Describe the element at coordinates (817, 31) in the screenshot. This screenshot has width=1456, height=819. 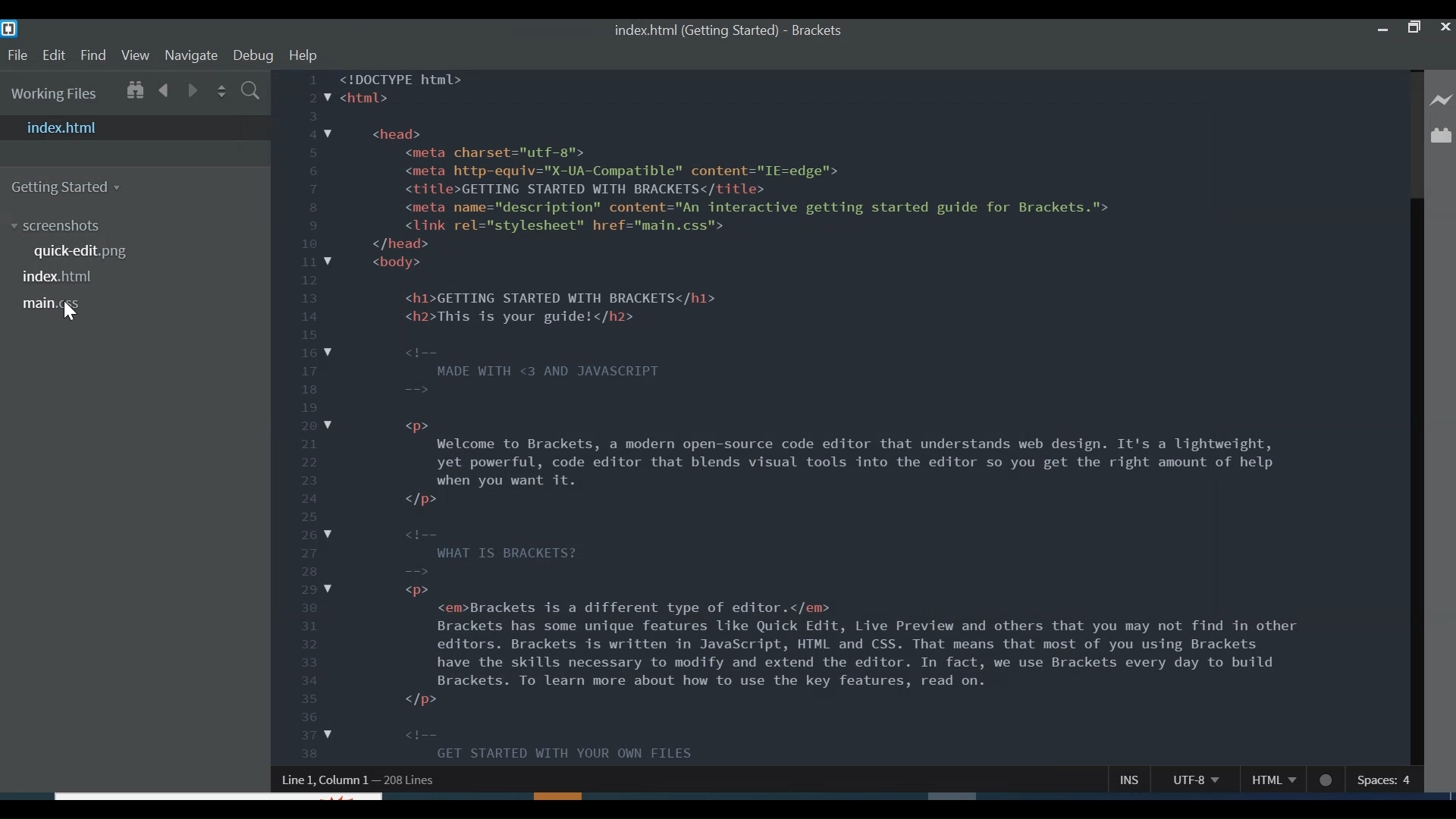
I see `Brackets` at that location.